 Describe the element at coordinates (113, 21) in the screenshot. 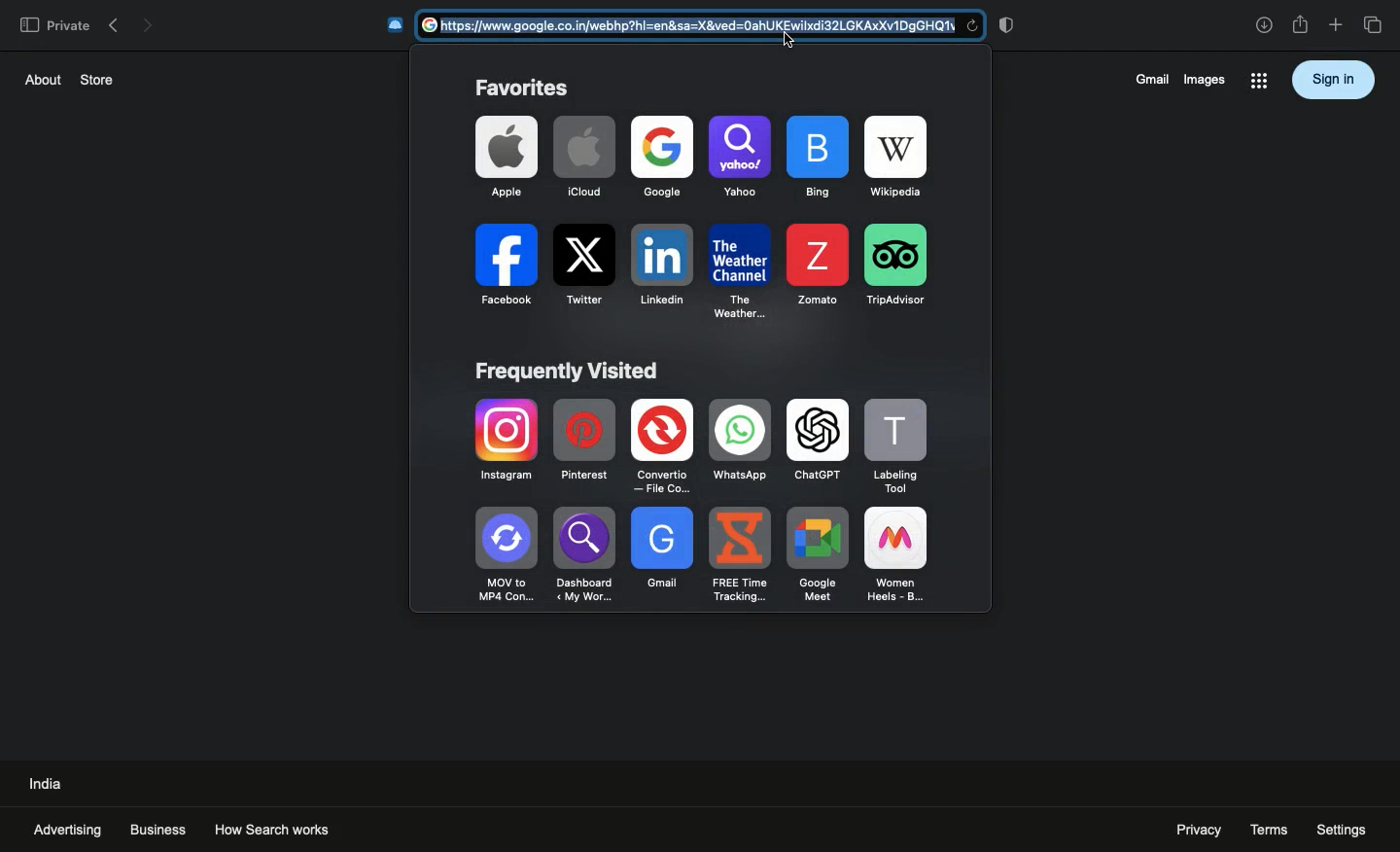

I see `previous` at that location.